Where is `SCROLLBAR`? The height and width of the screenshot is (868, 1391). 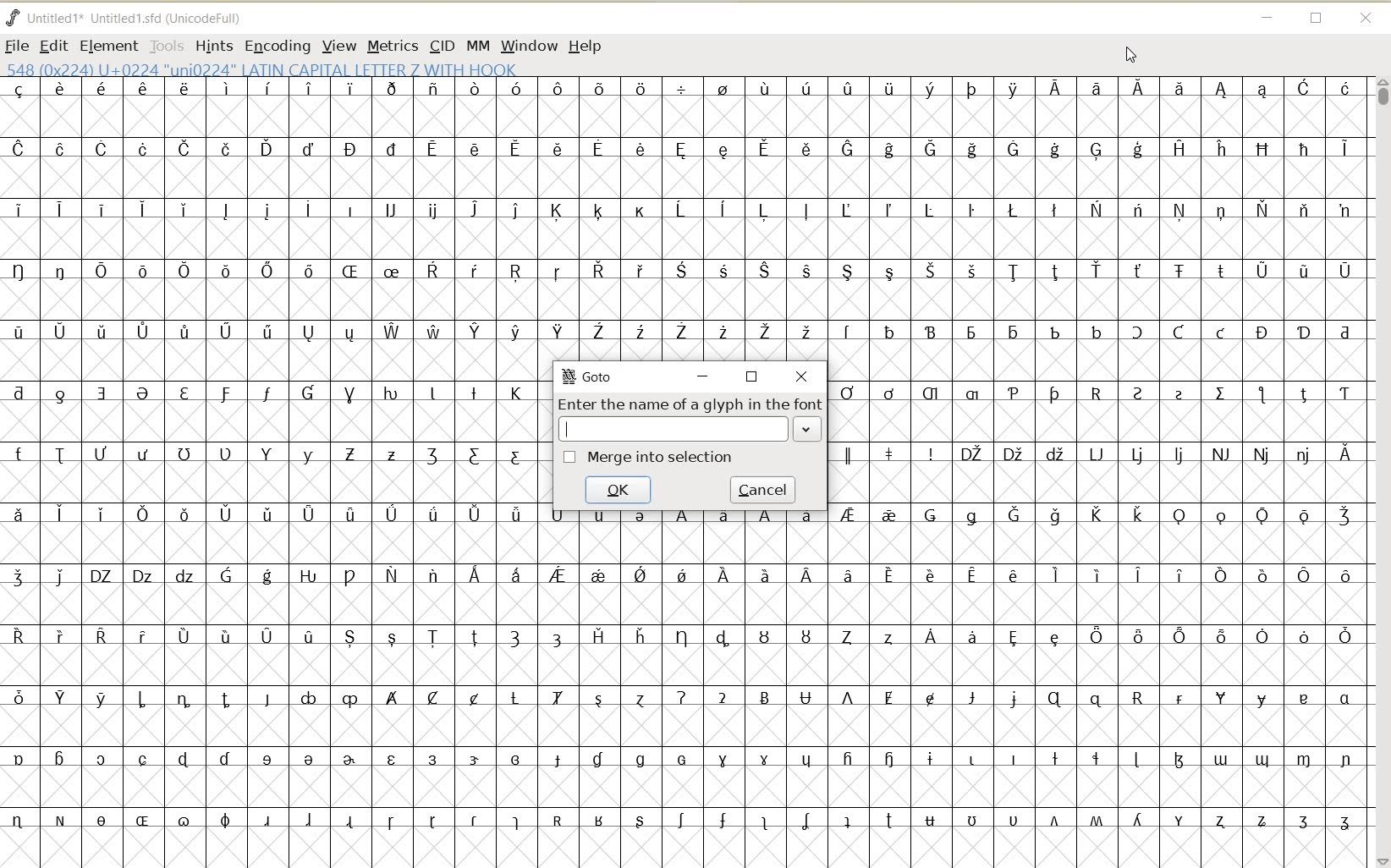 SCROLLBAR is located at coordinates (1381, 472).